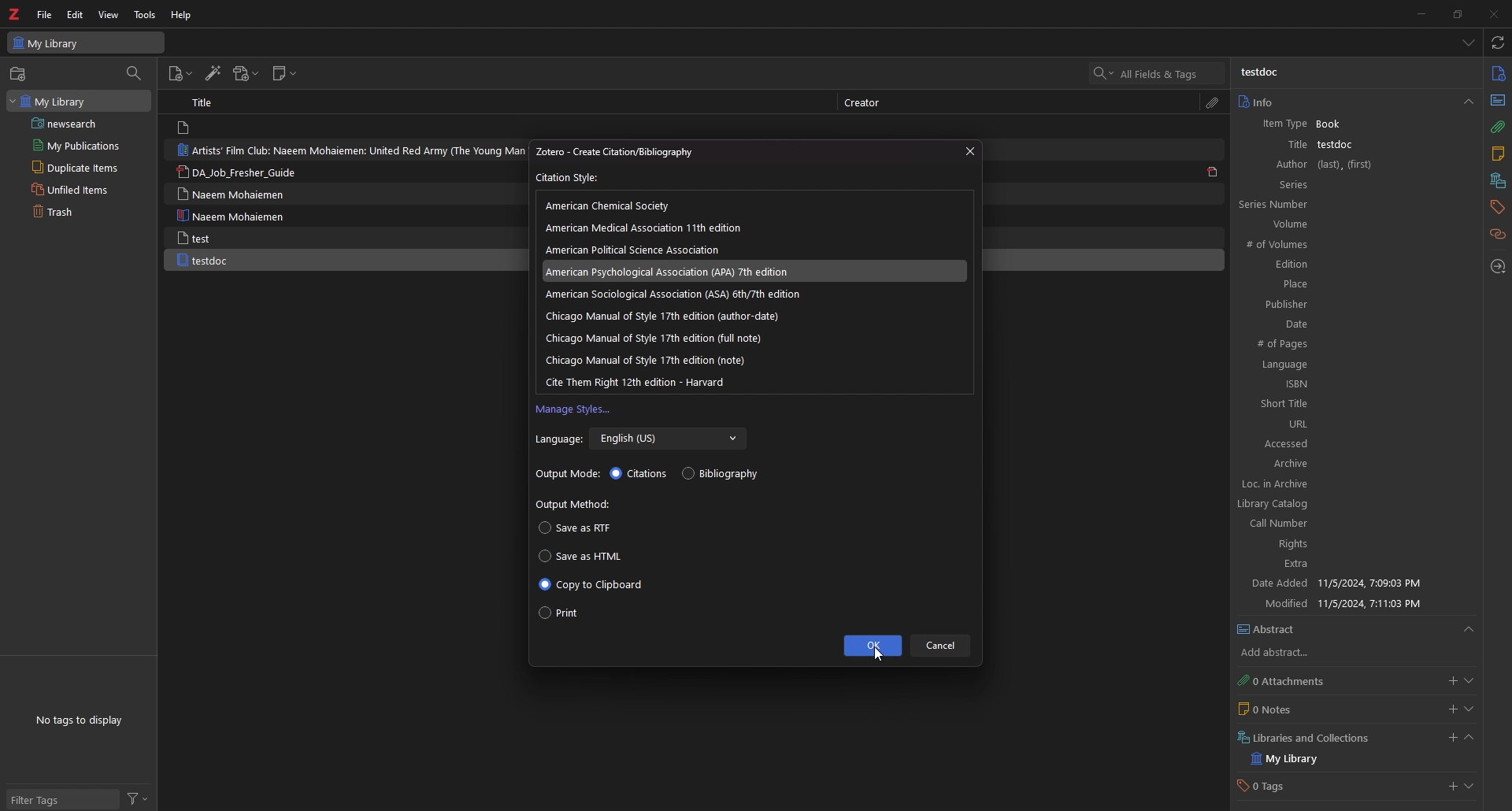  What do you see at coordinates (575, 529) in the screenshot?
I see `save as rtf` at bounding box center [575, 529].